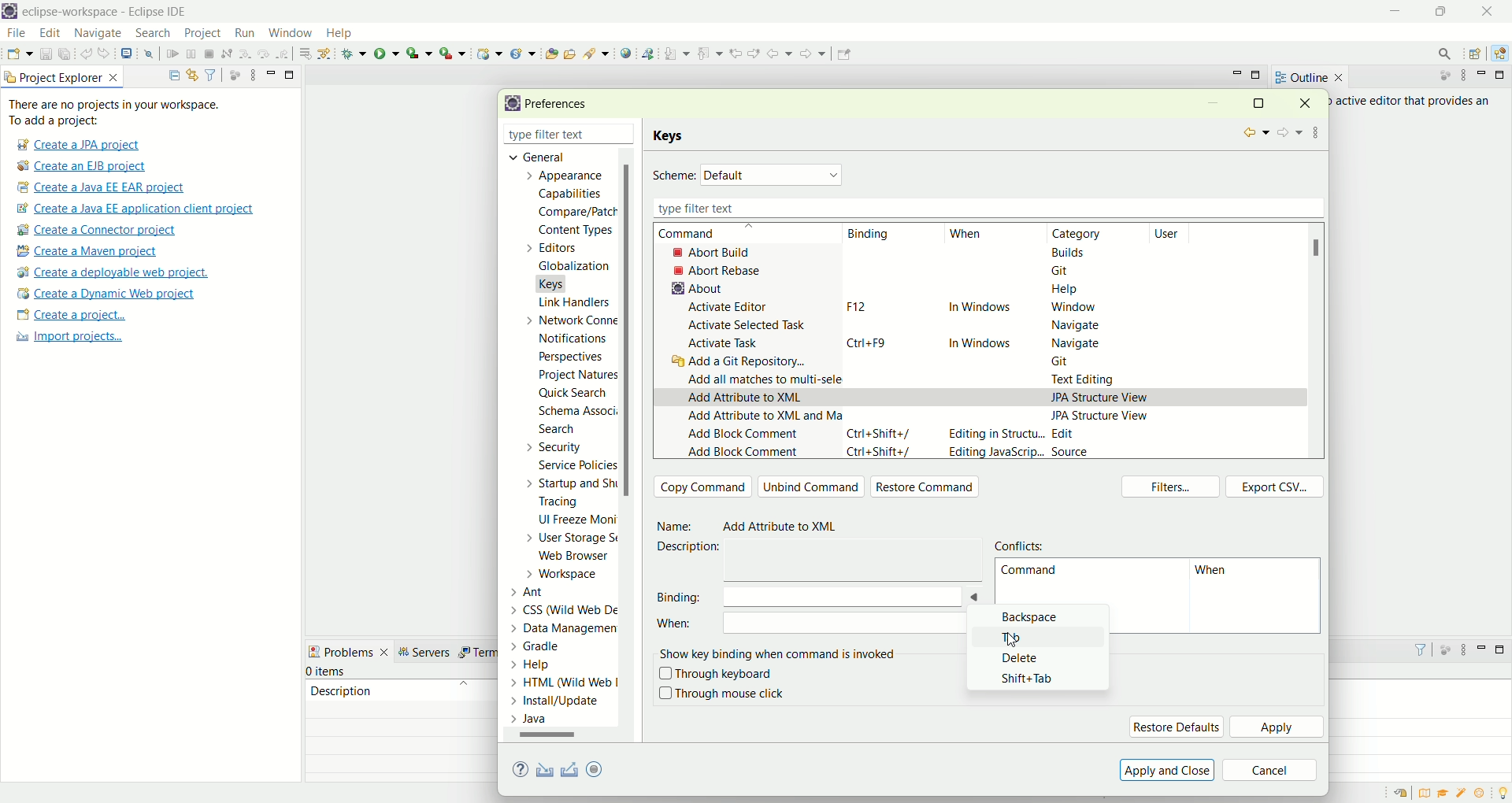  What do you see at coordinates (783, 53) in the screenshot?
I see `back` at bounding box center [783, 53].